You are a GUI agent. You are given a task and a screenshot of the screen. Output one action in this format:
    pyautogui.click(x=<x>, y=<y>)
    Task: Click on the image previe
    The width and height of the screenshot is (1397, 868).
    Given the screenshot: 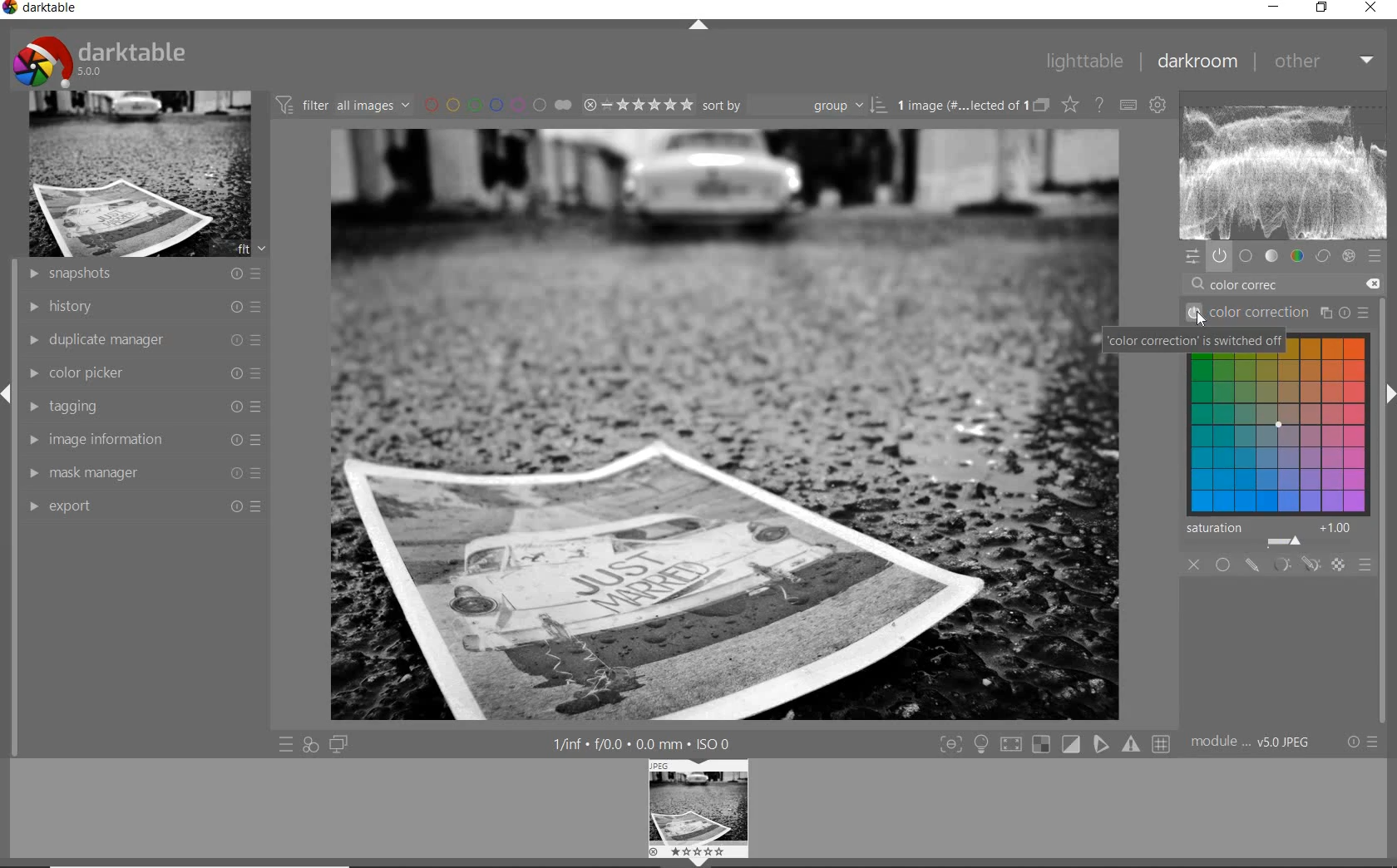 What is the action you would take?
    pyautogui.click(x=699, y=813)
    